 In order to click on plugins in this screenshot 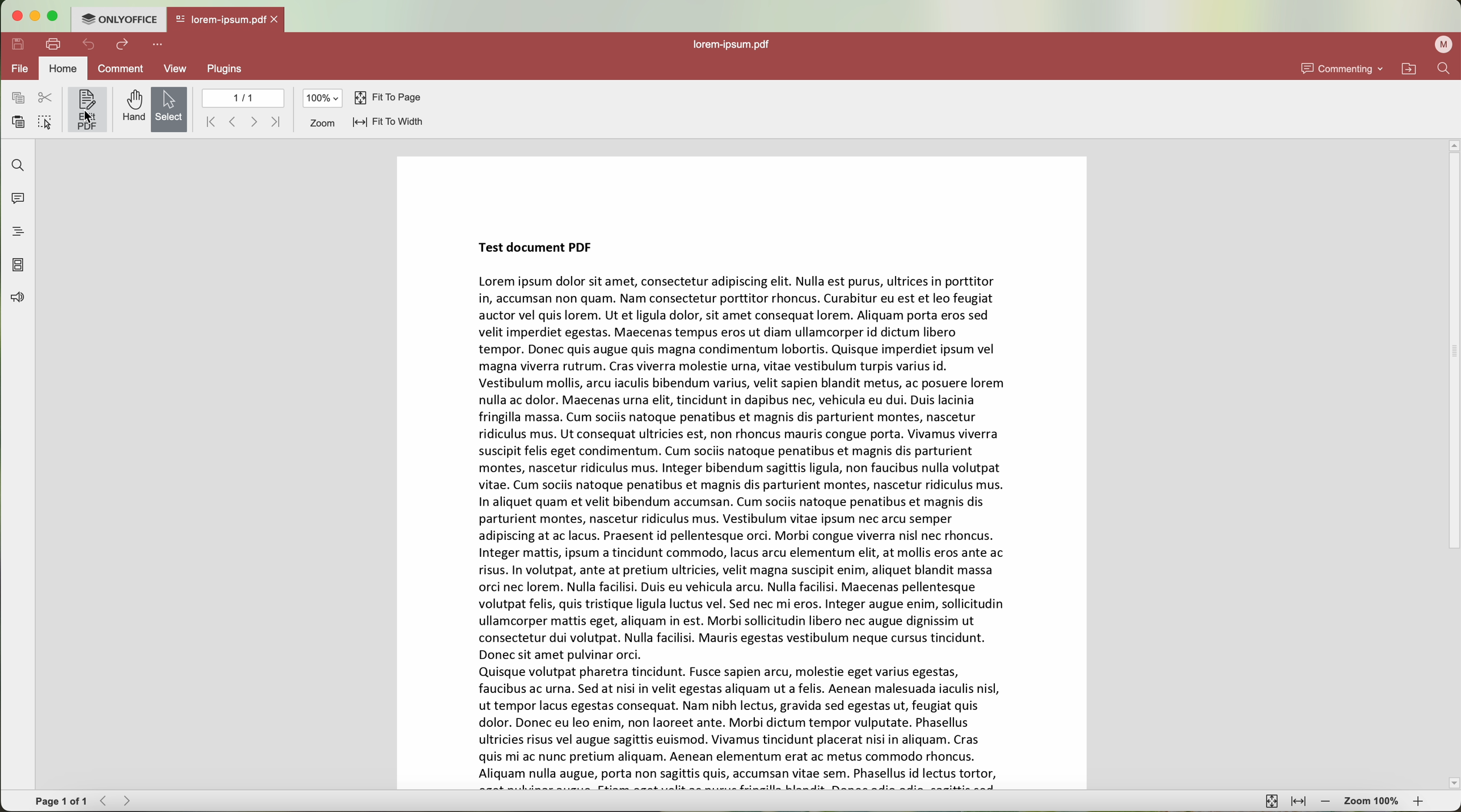, I will do `click(227, 70)`.